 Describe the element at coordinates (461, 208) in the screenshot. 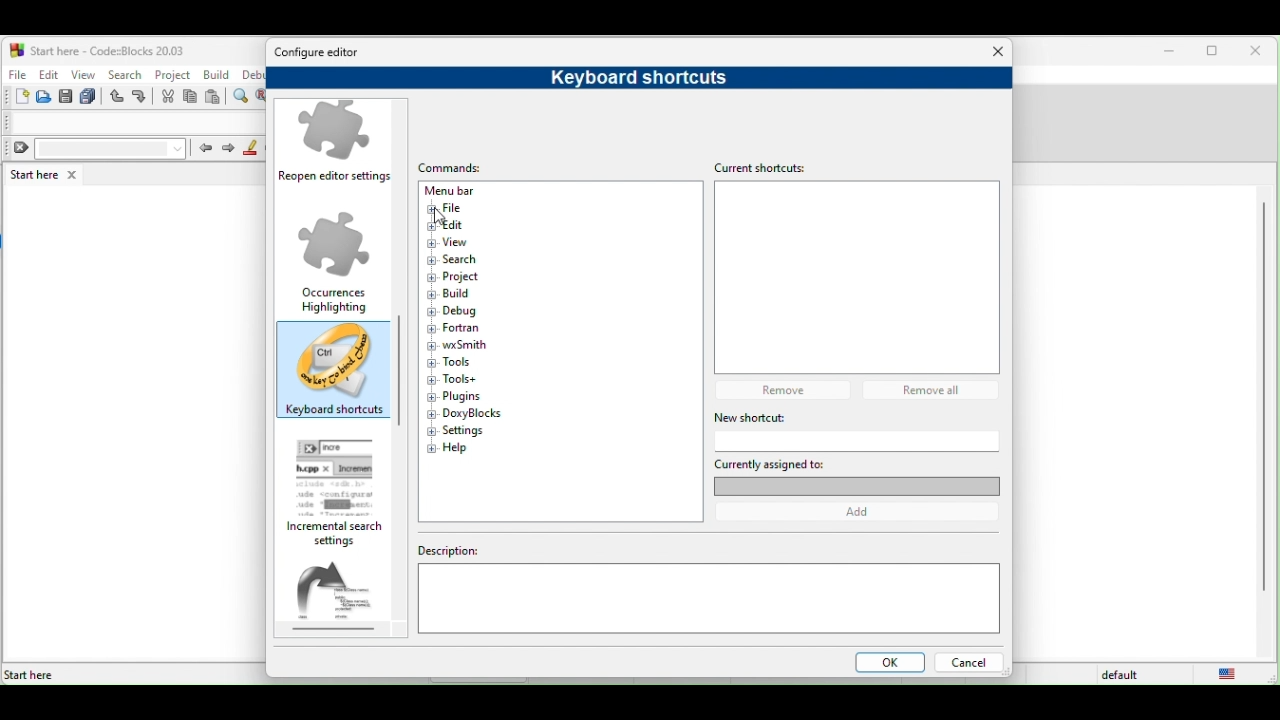

I see `file` at that location.